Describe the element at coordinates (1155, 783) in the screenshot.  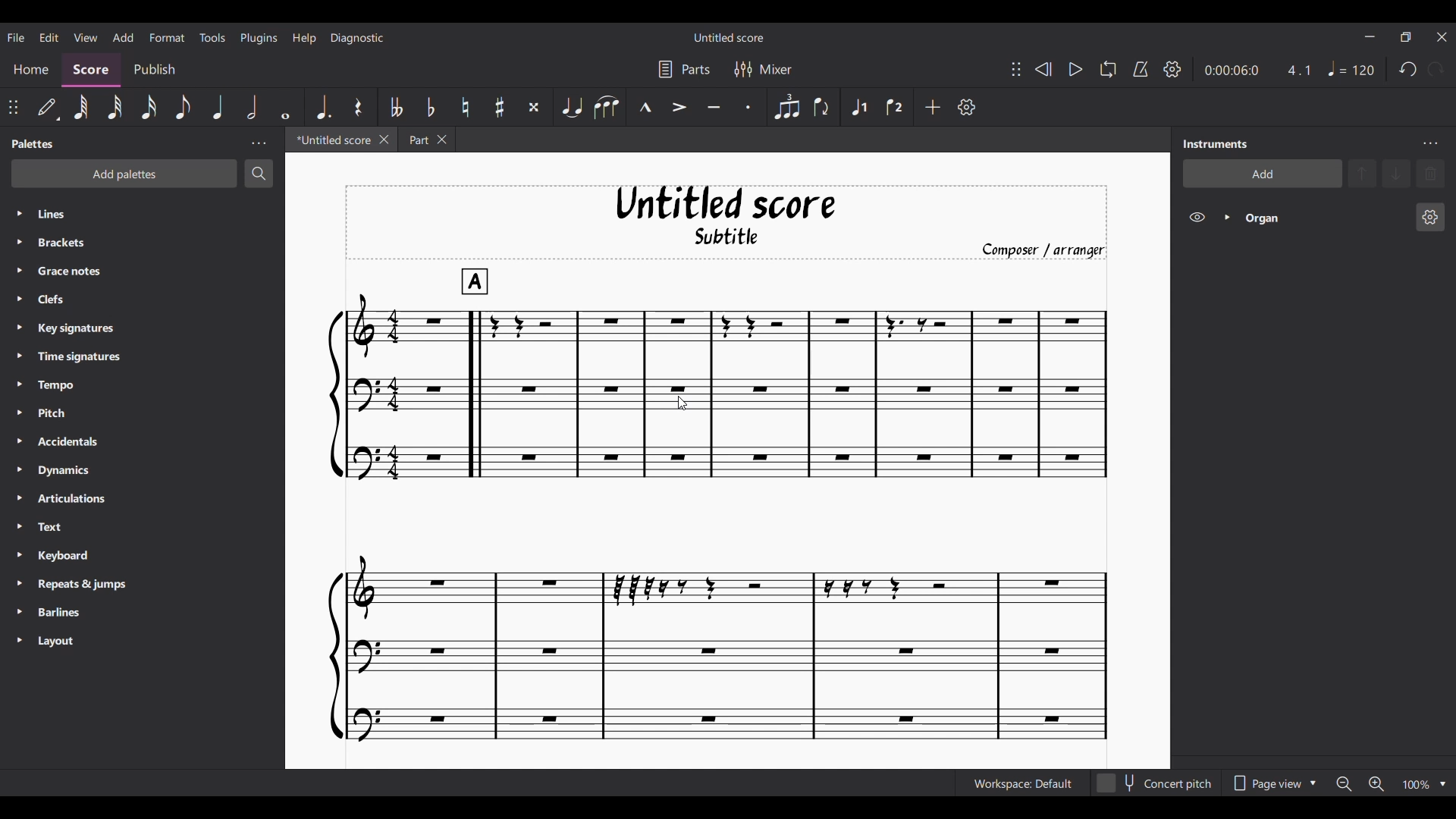
I see `Toggle for concert pitch` at that location.